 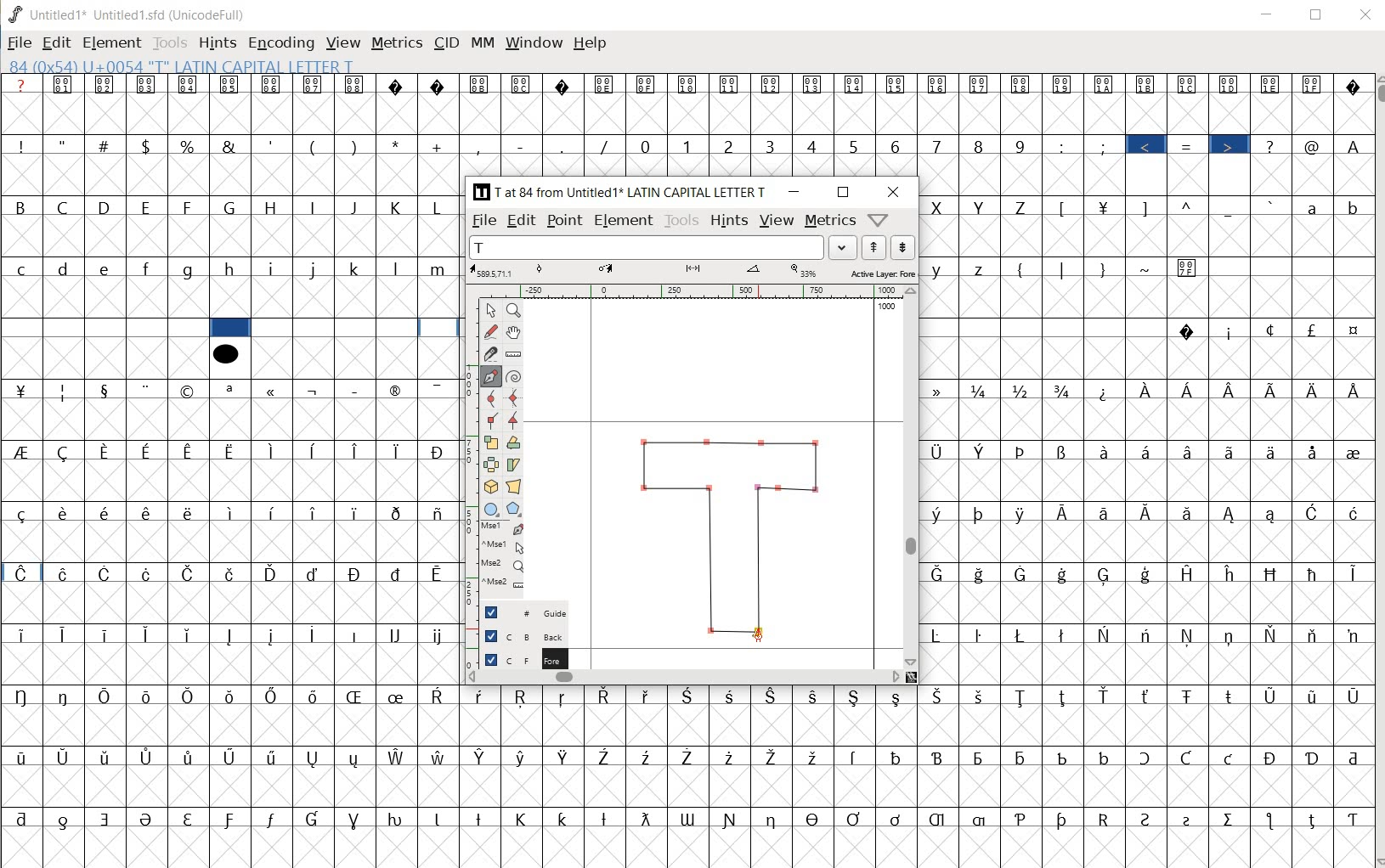 I want to click on Mouse wheel button + Ctrl, so click(x=503, y=583).